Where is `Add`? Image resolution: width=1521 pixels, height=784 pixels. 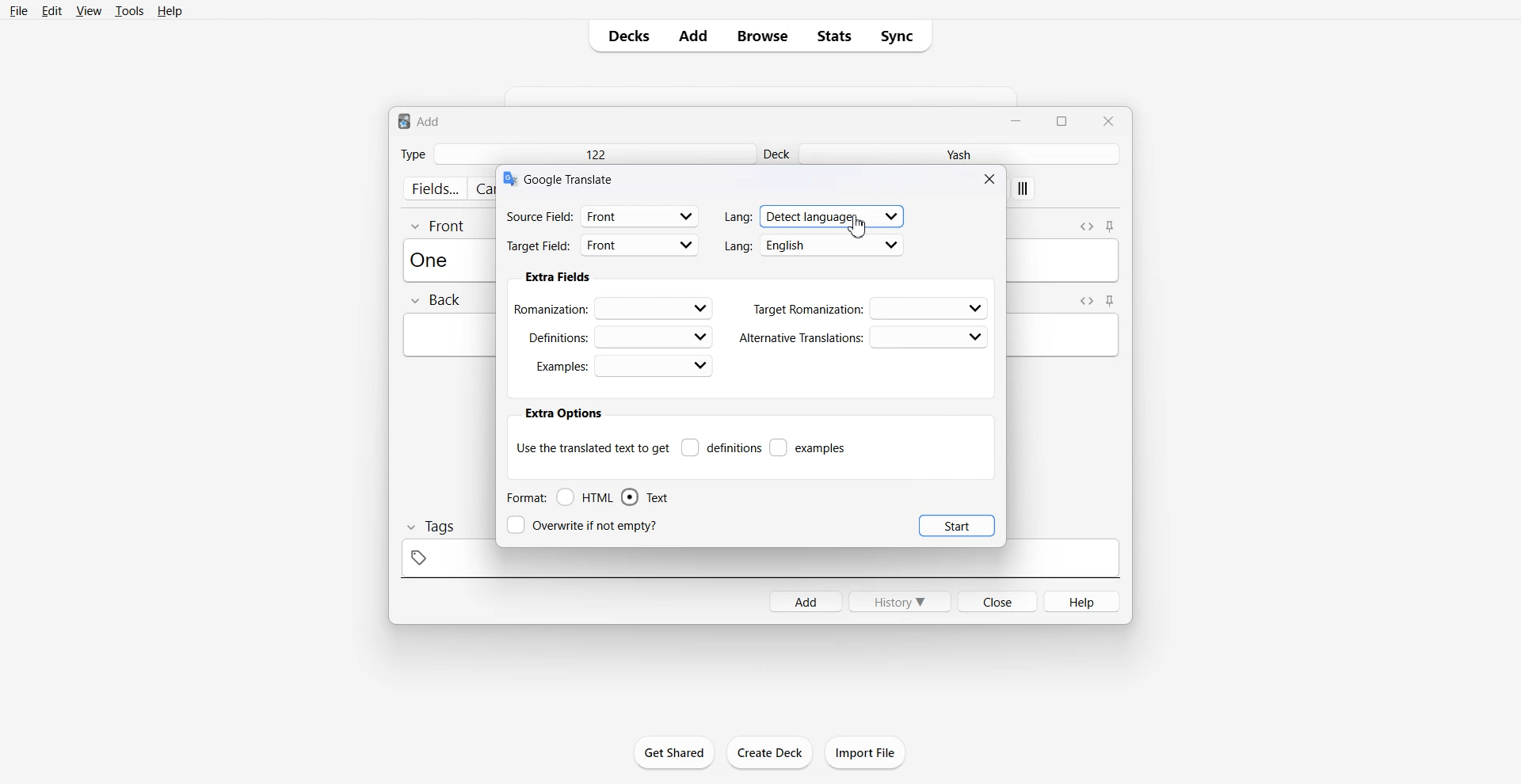 Add is located at coordinates (805, 601).